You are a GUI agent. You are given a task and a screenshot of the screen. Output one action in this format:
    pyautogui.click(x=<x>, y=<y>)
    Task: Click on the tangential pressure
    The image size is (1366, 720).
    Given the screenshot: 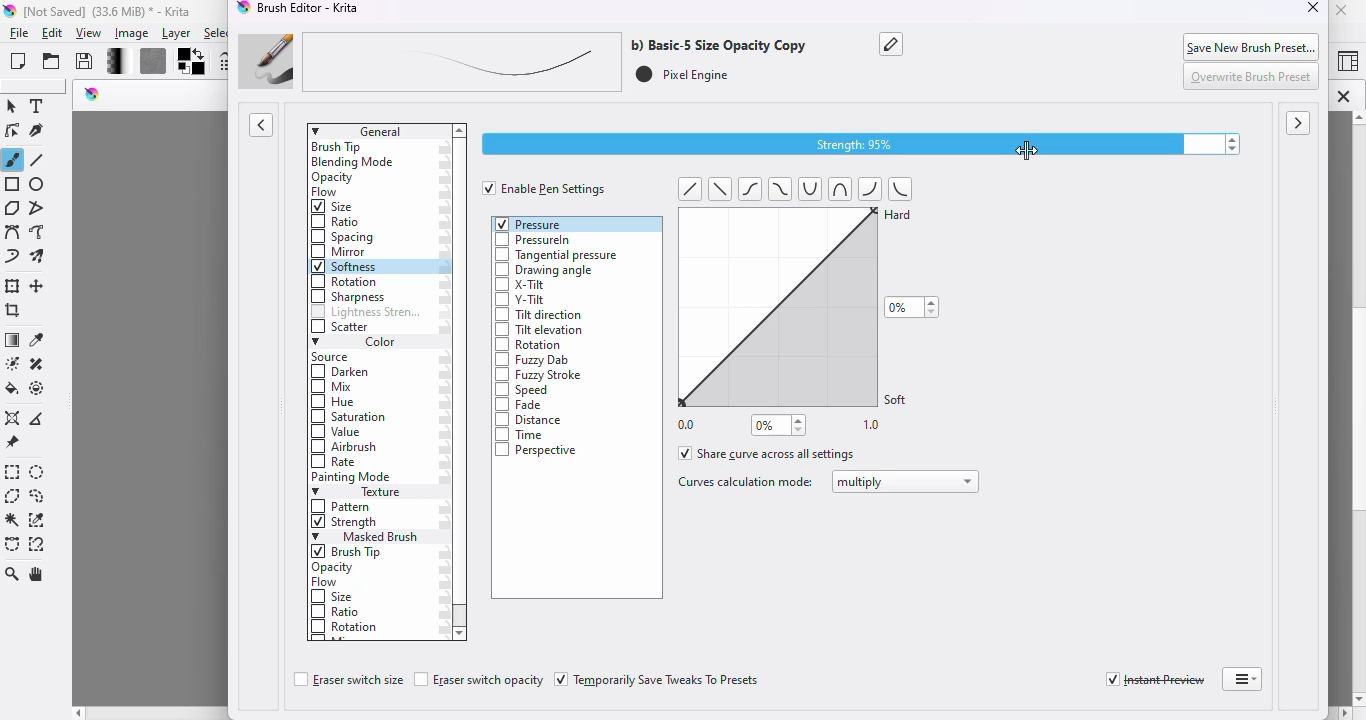 What is the action you would take?
    pyautogui.click(x=558, y=254)
    